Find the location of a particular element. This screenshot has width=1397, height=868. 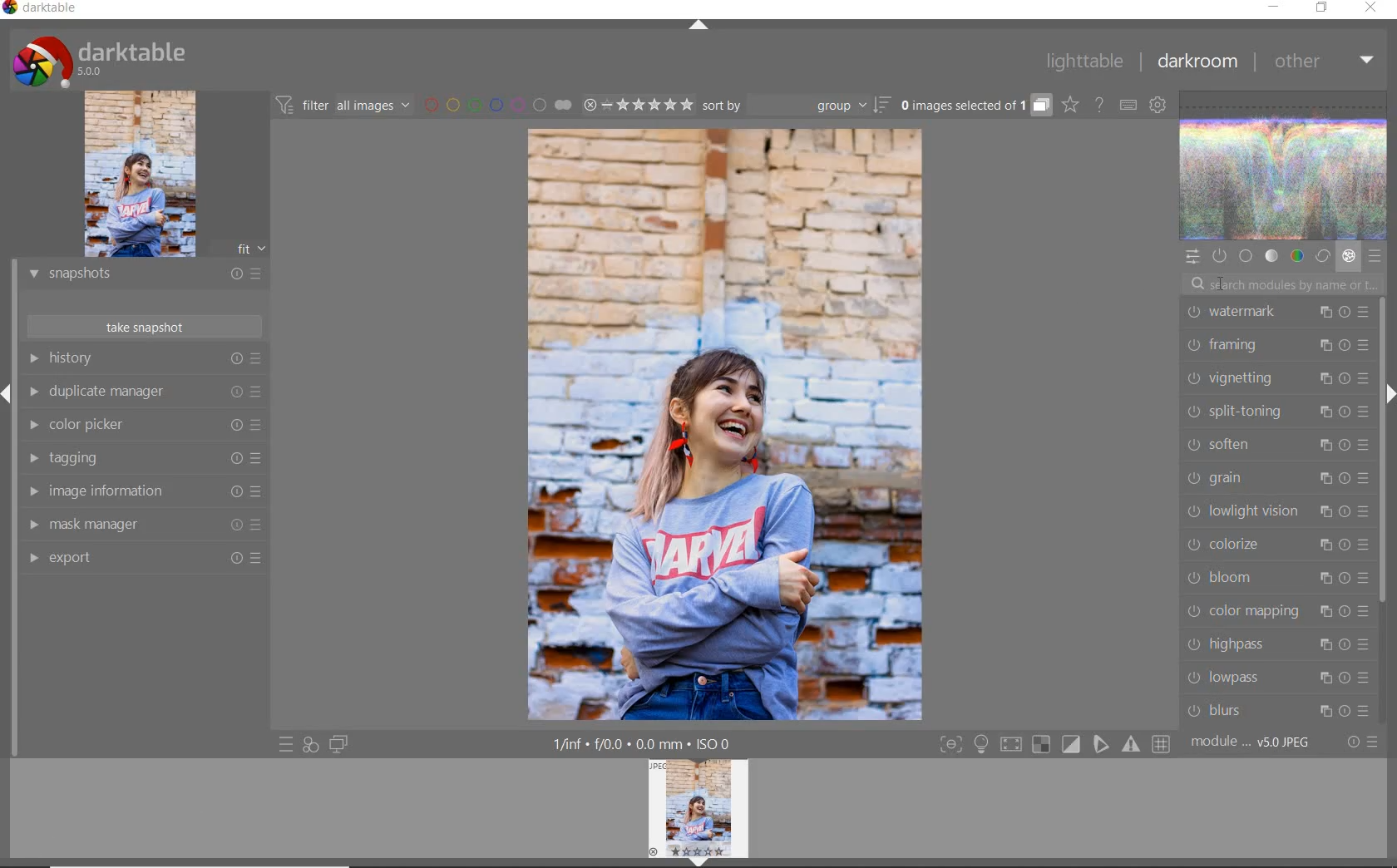

reset or presets and preferences is located at coordinates (1364, 742).